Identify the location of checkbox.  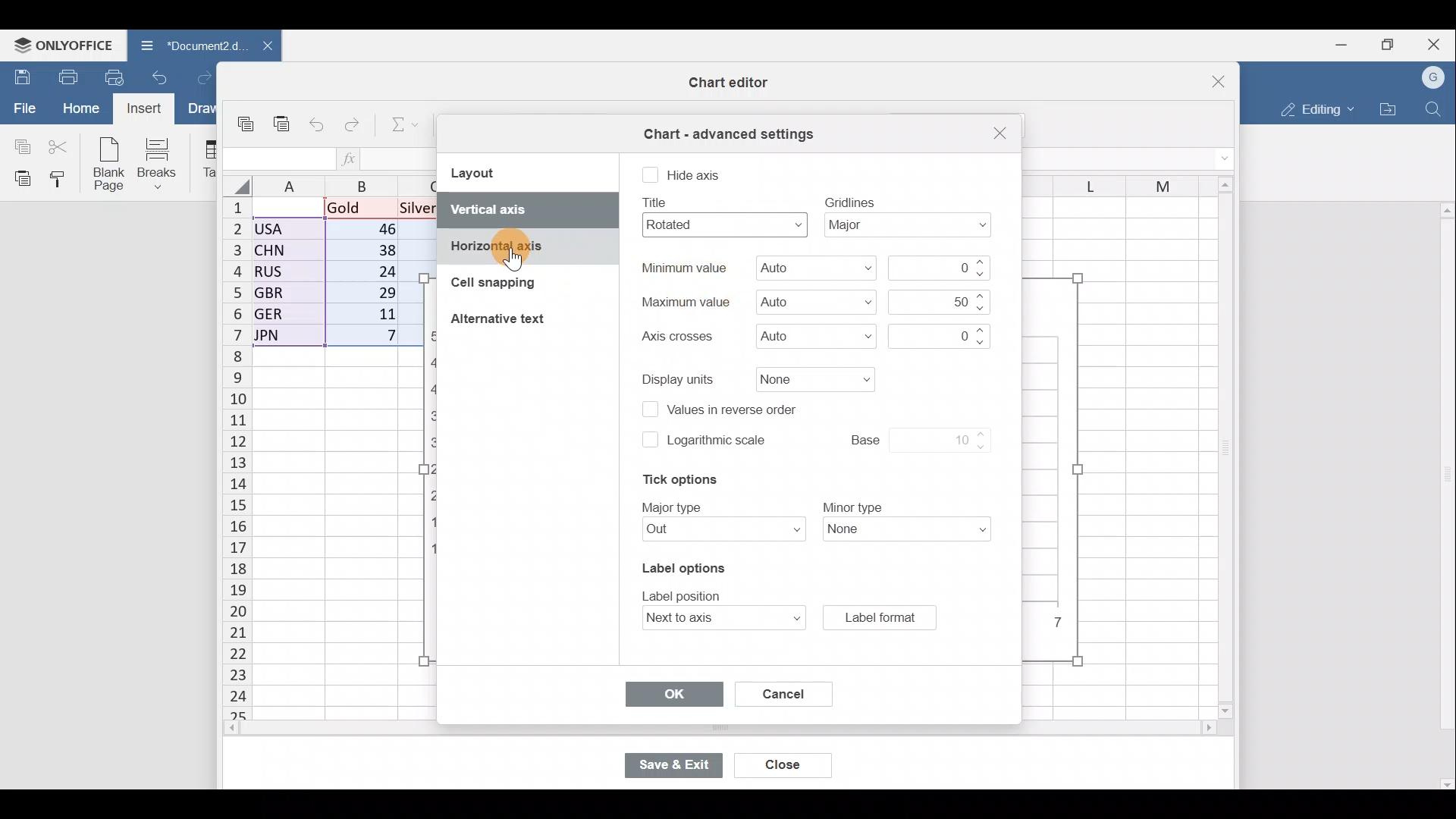
(648, 411).